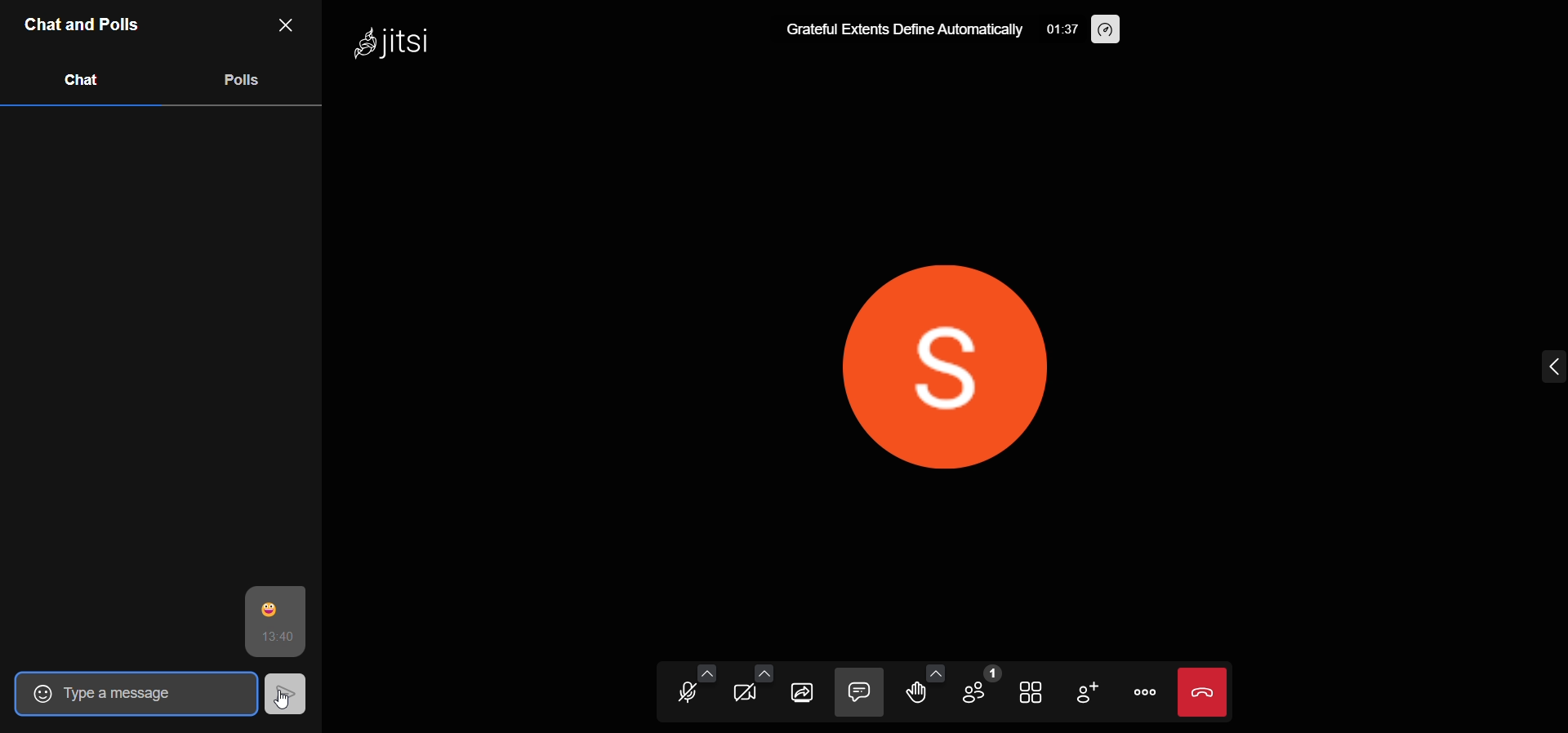 The image size is (1568, 733). Describe the element at coordinates (1089, 693) in the screenshot. I see `invite people` at that location.